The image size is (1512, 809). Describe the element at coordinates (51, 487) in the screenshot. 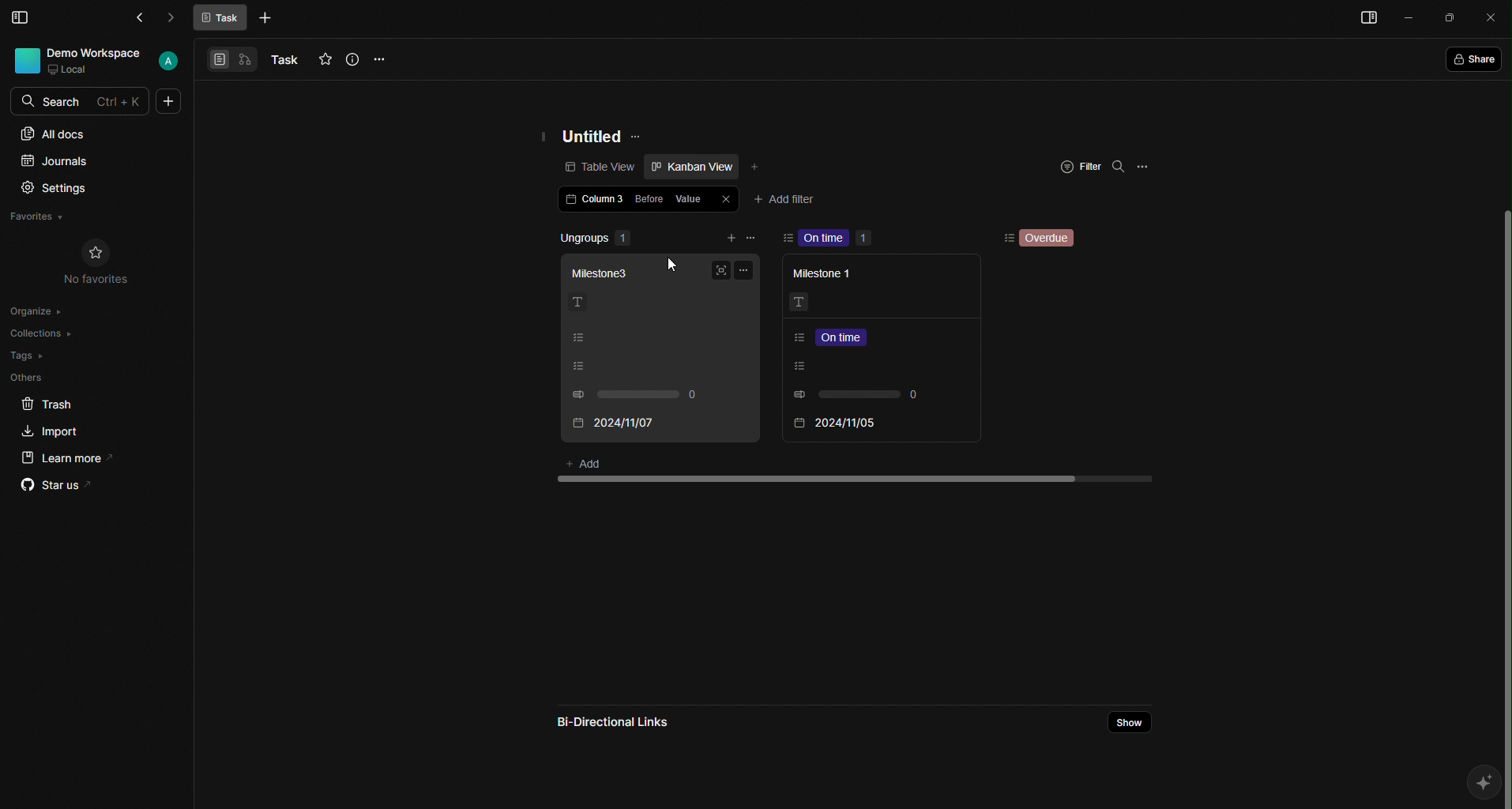

I see `Star us` at that location.